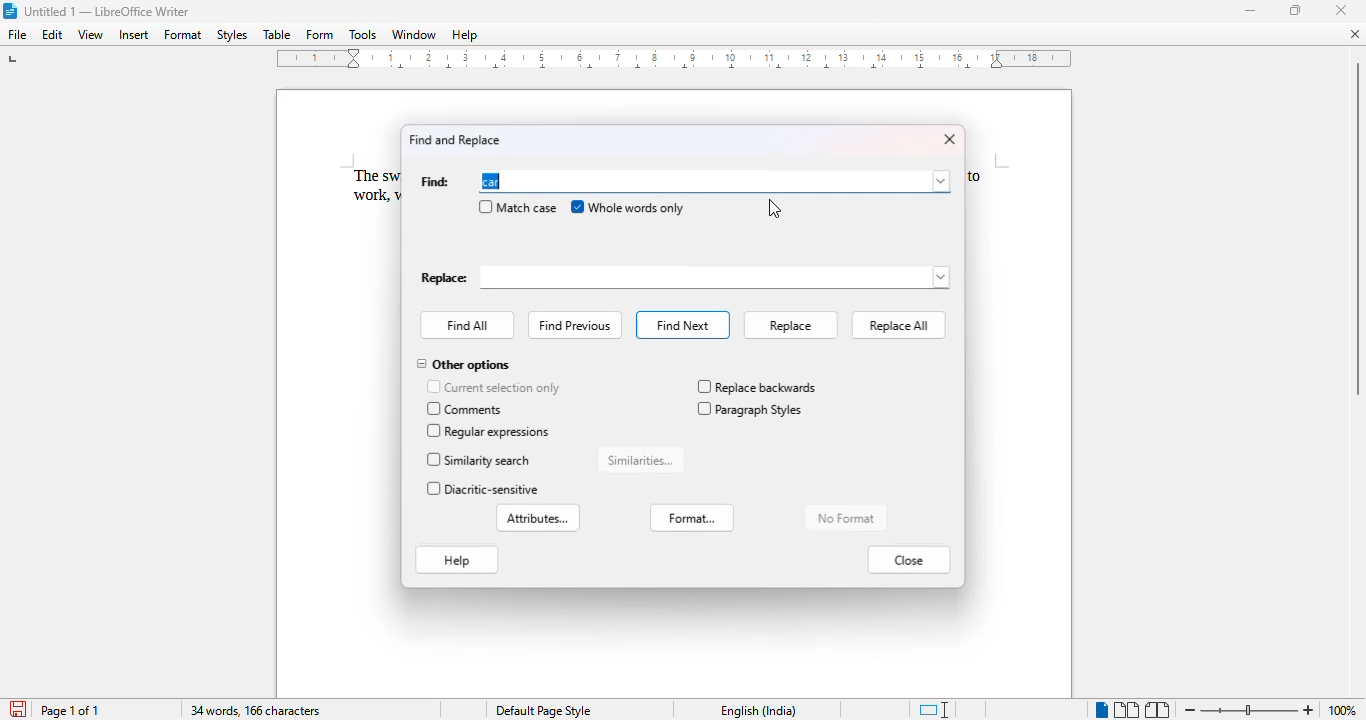 The image size is (1366, 720). I want to click on to, so click(974, 176).